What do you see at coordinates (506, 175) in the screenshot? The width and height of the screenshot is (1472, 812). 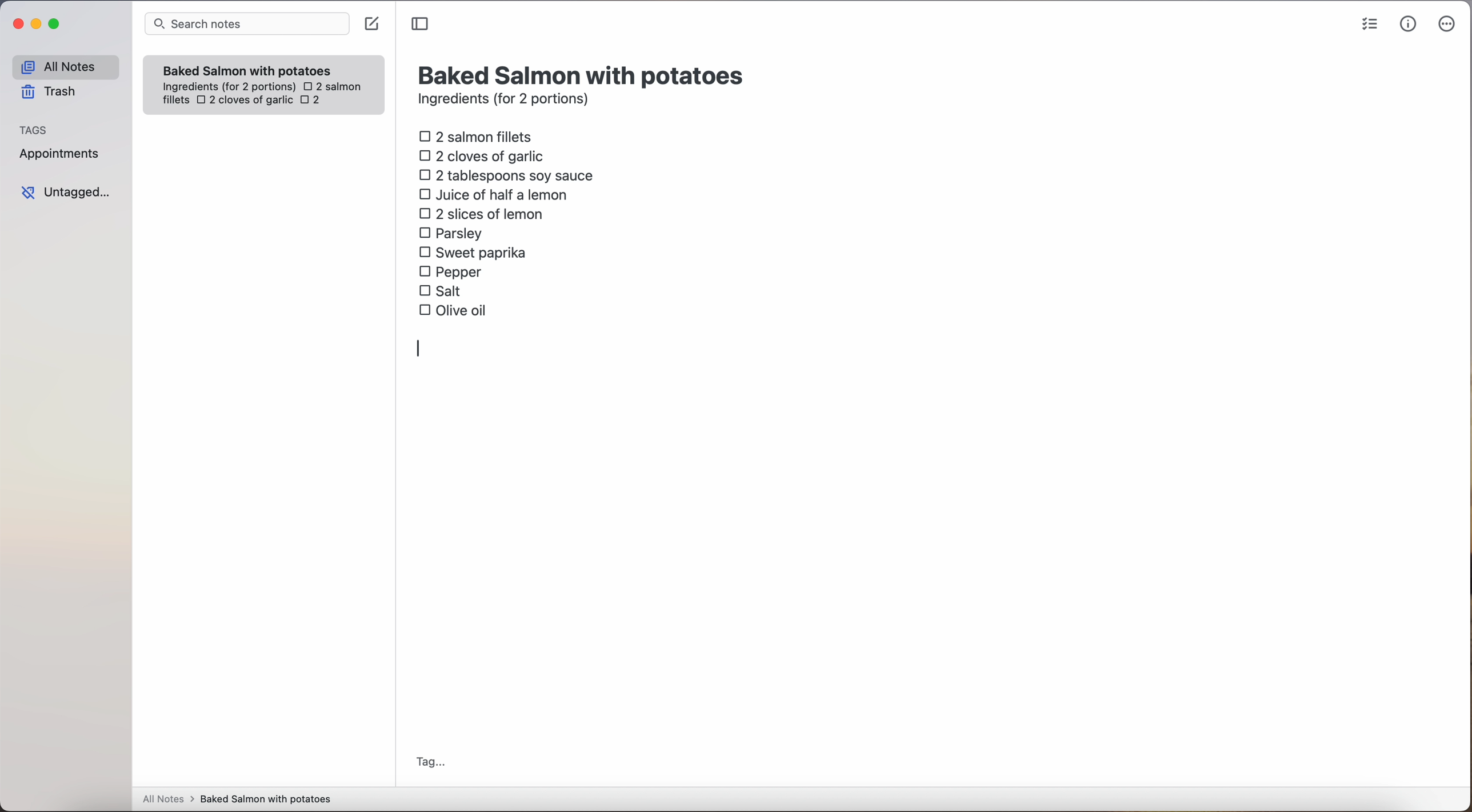 I see `2 tablespoons soy sauce` at bounding box center [506, 175].